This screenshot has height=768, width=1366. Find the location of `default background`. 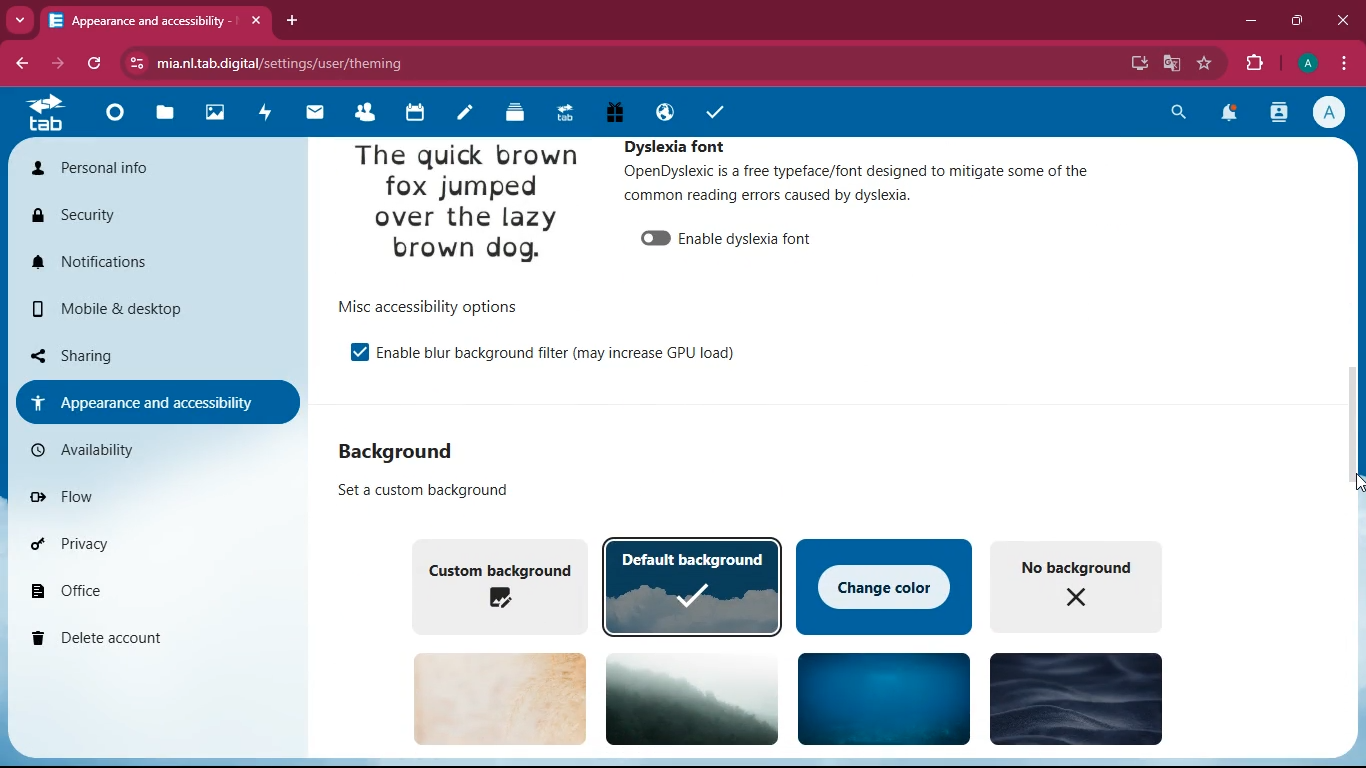

default background is located at coordinates (694, 586).